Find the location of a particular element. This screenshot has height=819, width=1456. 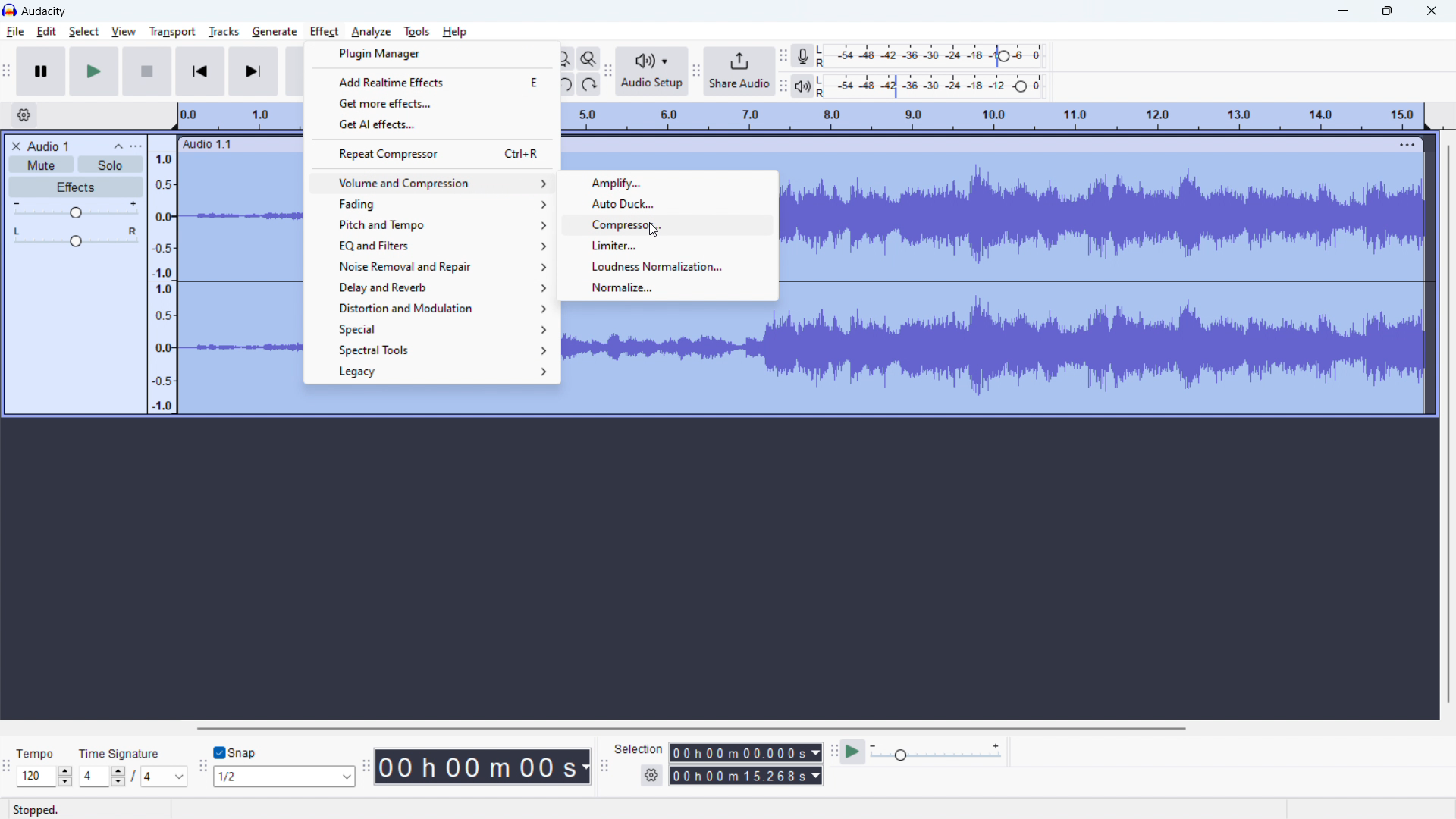

delay and reverb is located at coordinates (429, 287).